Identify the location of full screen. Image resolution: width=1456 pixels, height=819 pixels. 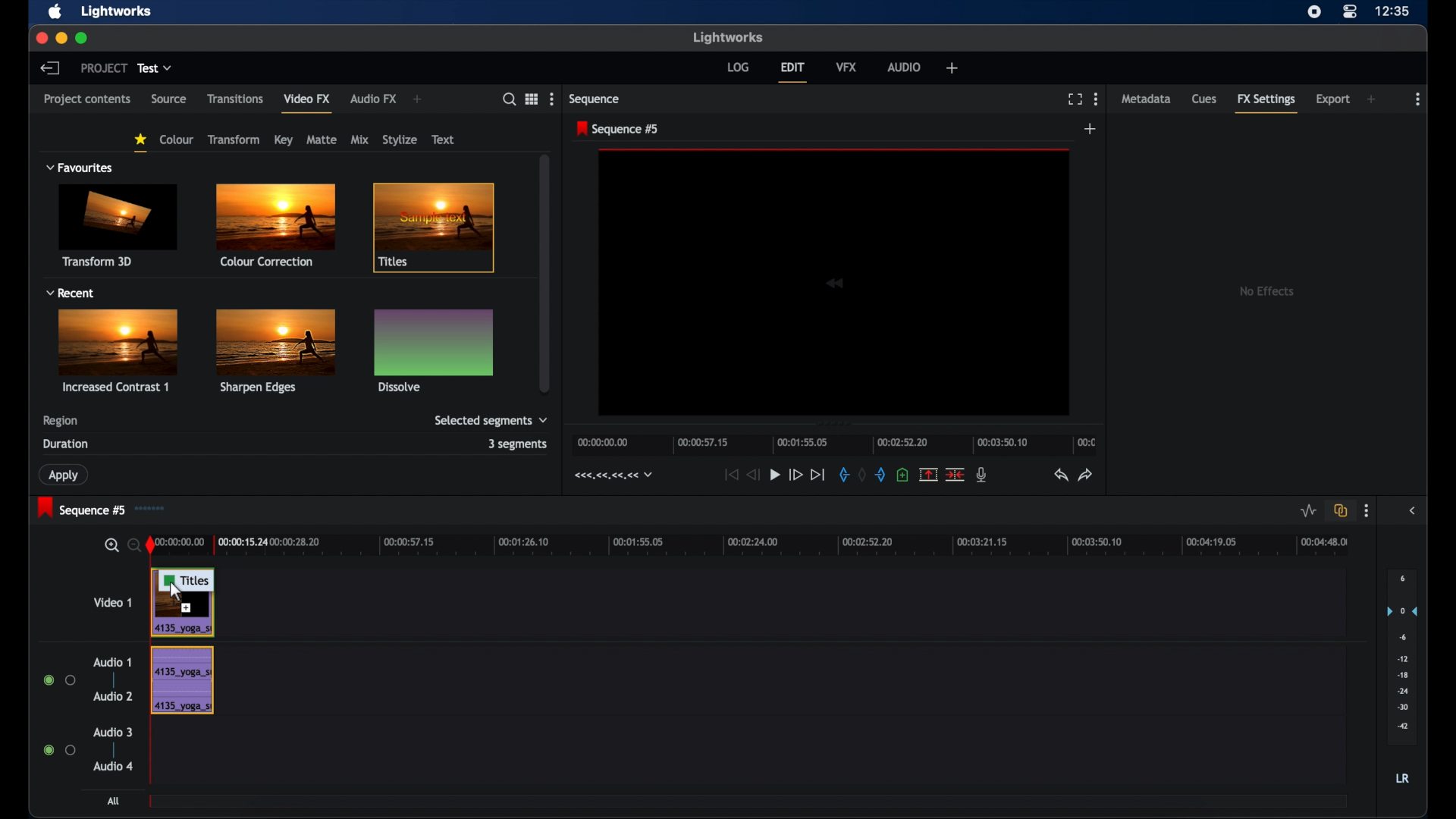
(1075, 99).